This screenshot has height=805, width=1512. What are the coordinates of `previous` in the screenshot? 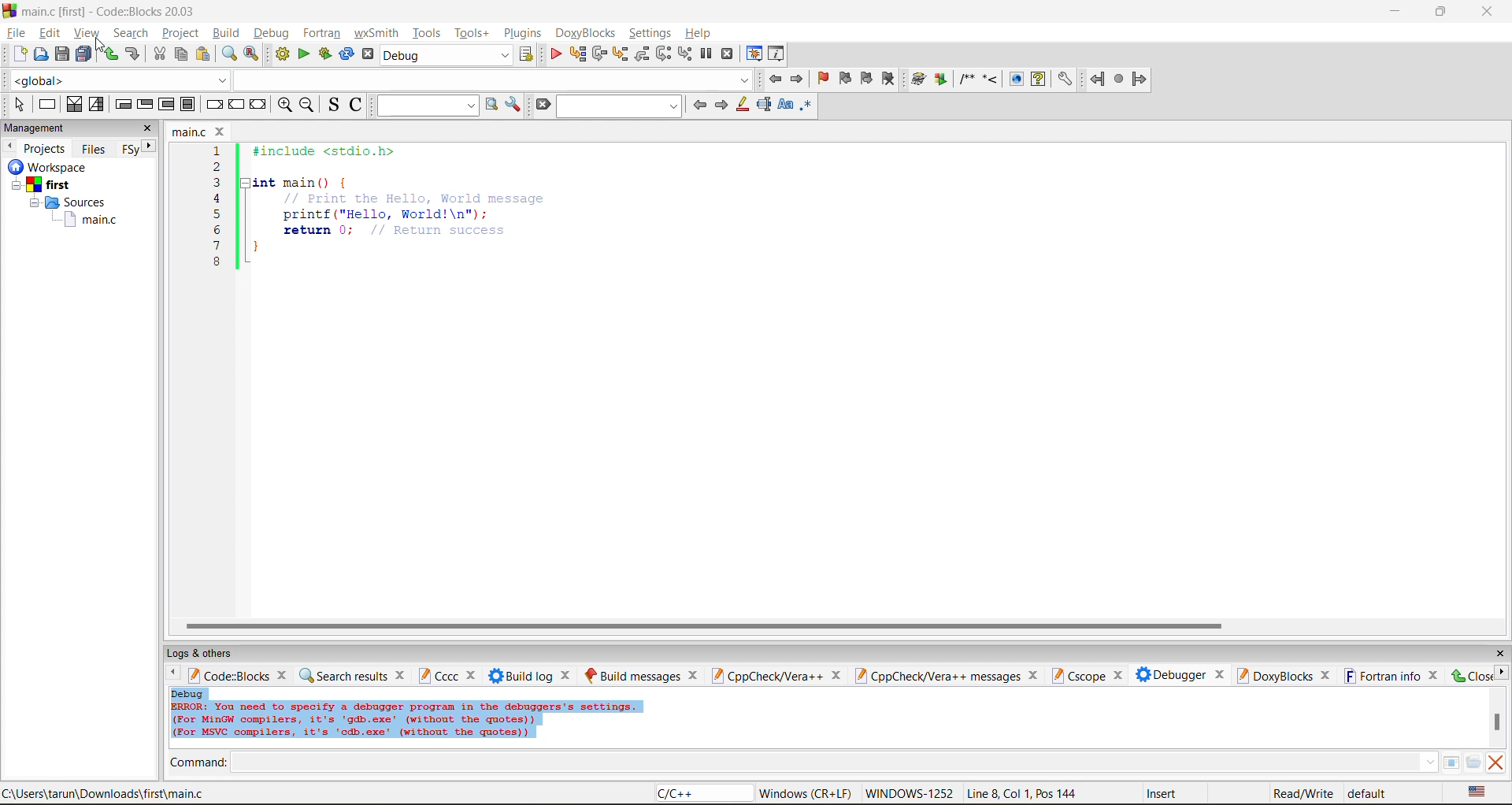 It's located at (9, 147).